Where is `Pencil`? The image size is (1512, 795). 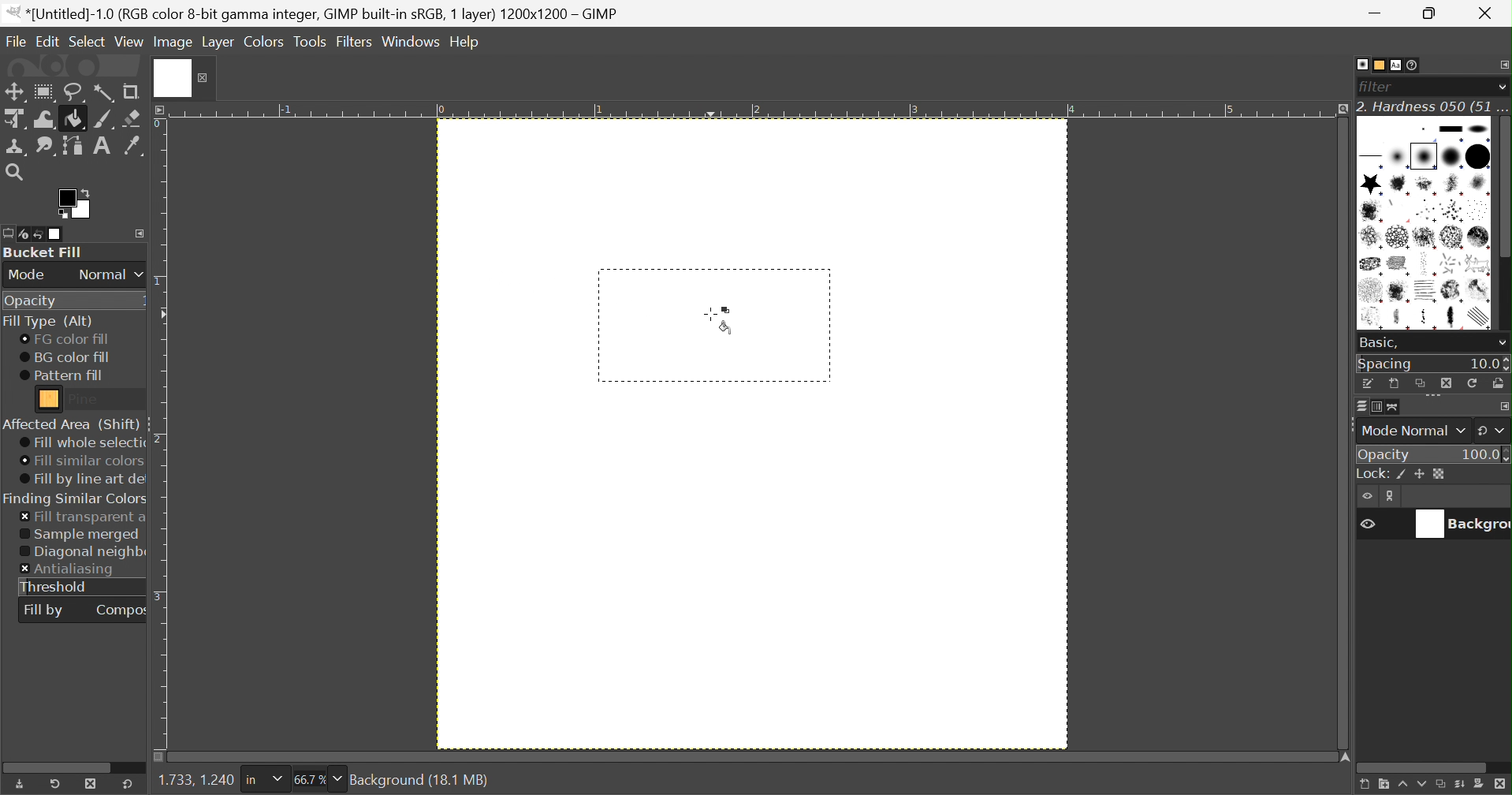 Pencil is located at coordinates (1428, 319).